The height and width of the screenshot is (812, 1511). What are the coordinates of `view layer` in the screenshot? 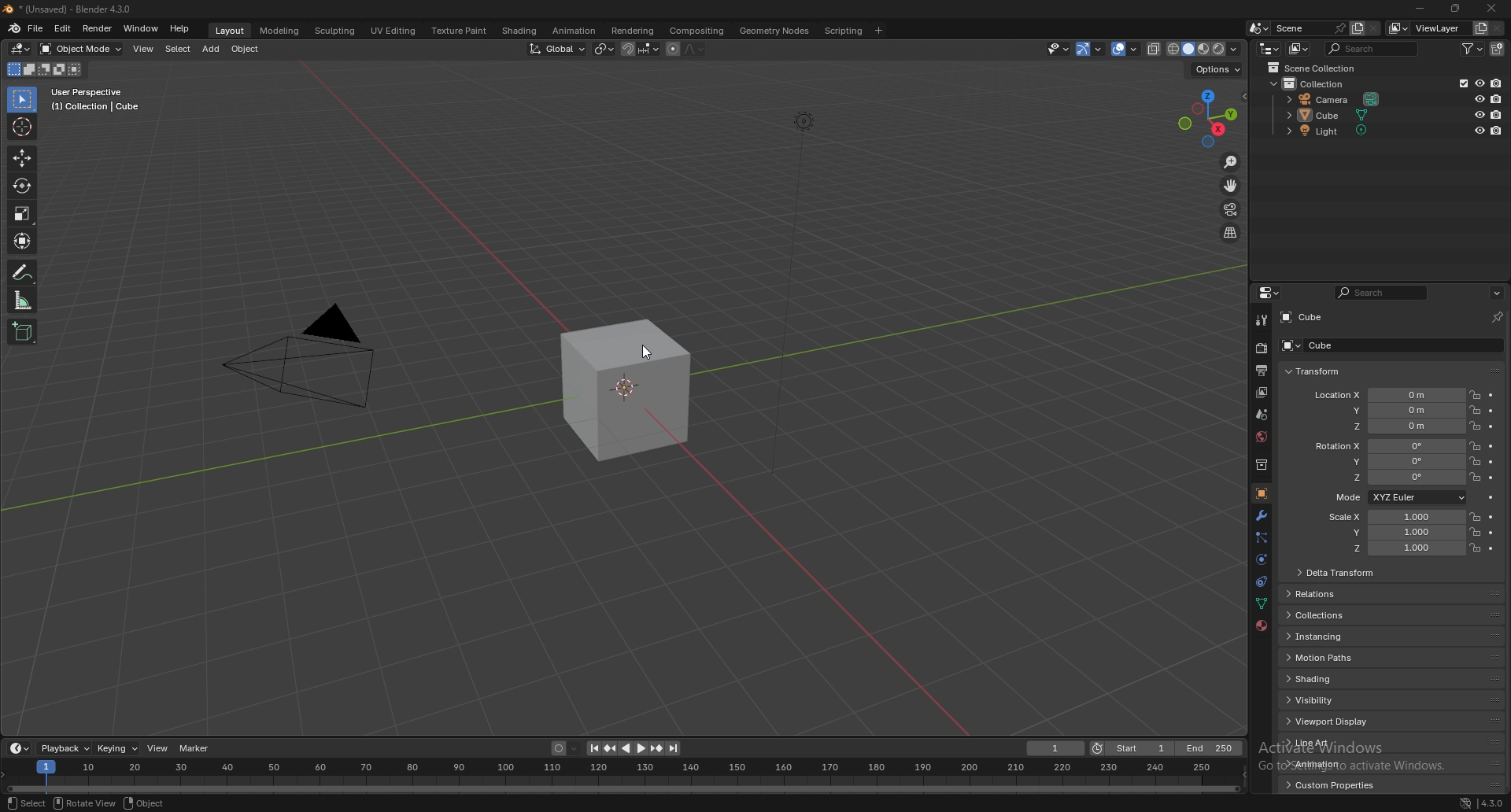 It's located at (1262, 393).